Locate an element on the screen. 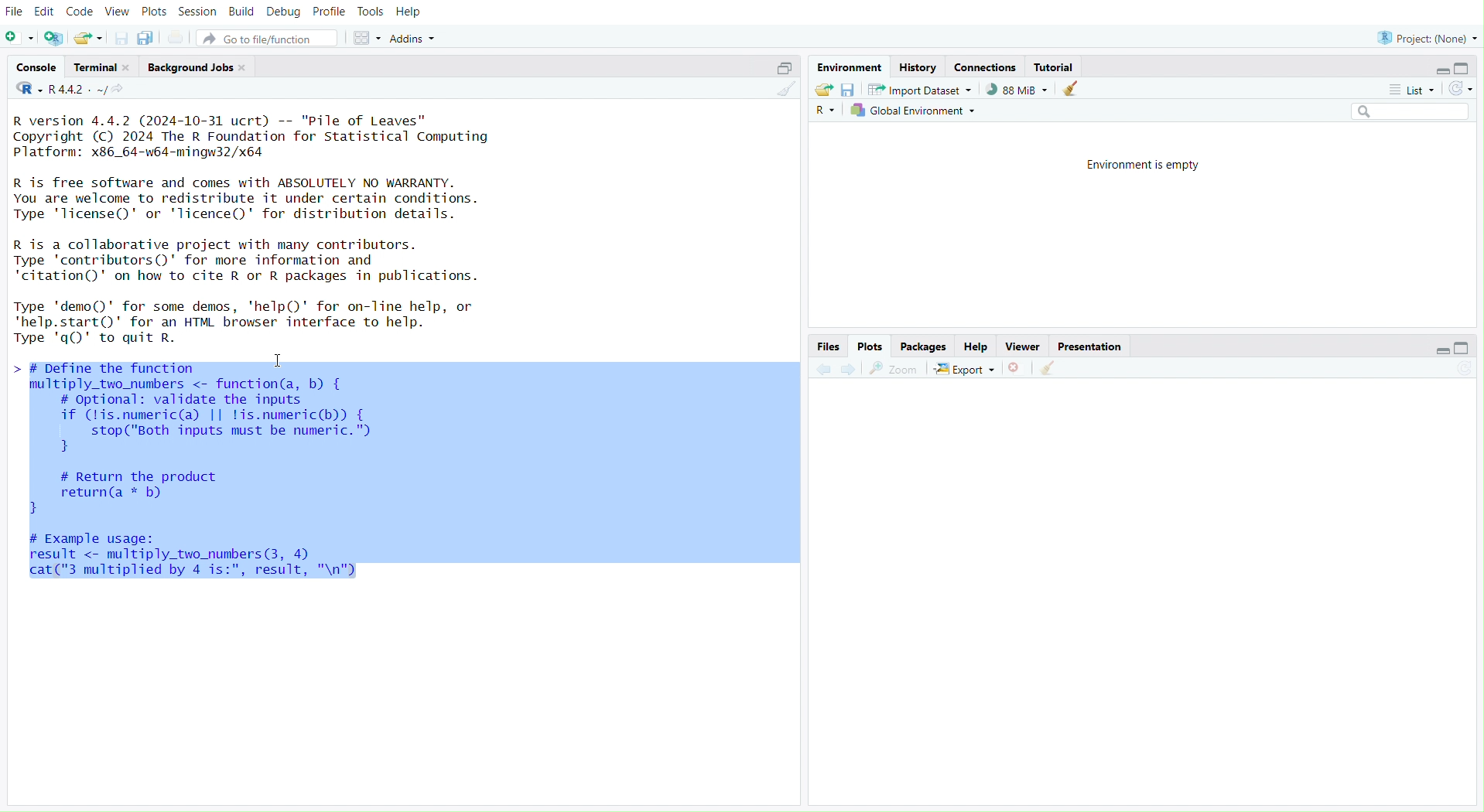  View the current working directory is located at coordinates (128, 93).